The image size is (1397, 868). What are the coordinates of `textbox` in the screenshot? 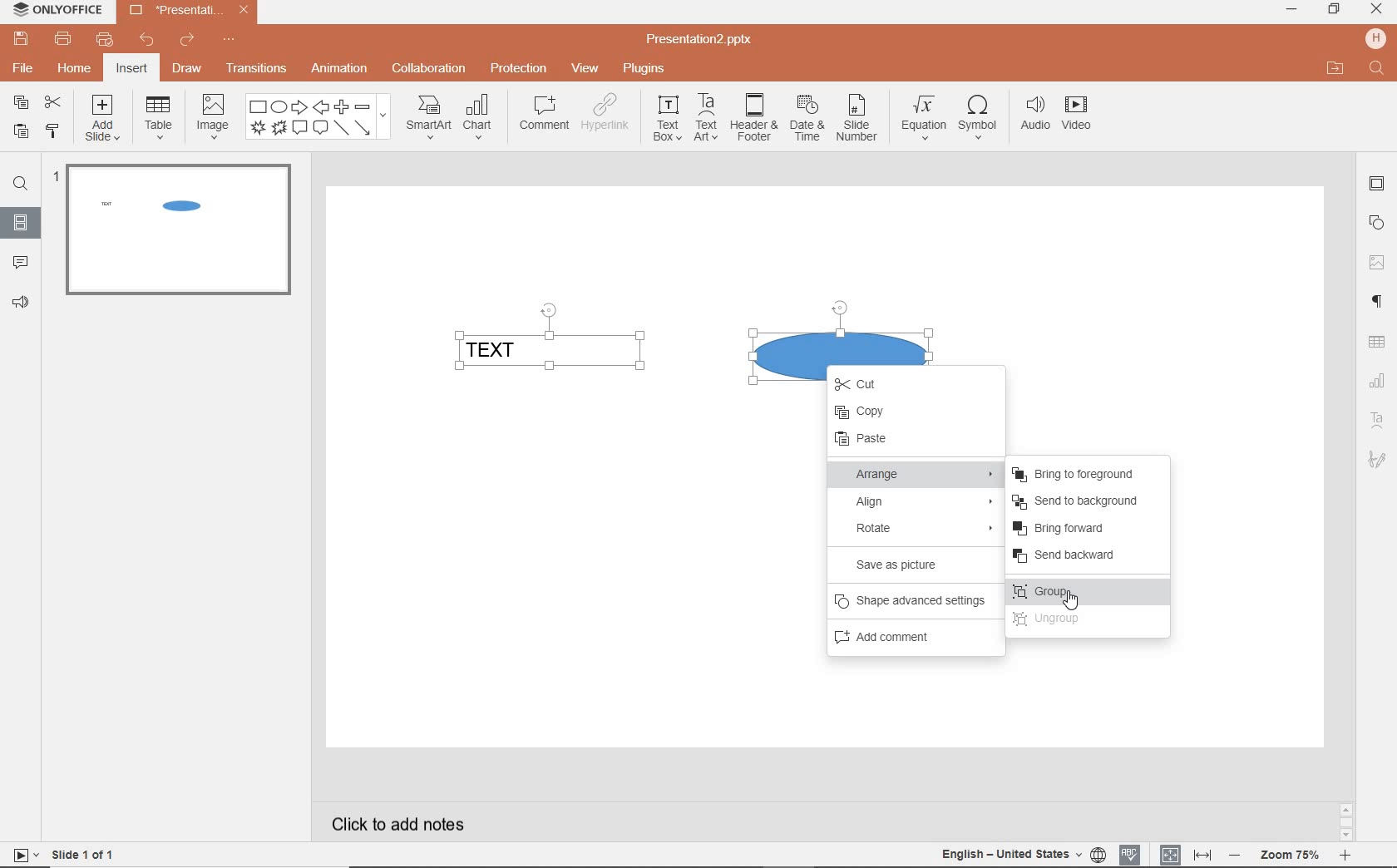 It's located at (665, 119).